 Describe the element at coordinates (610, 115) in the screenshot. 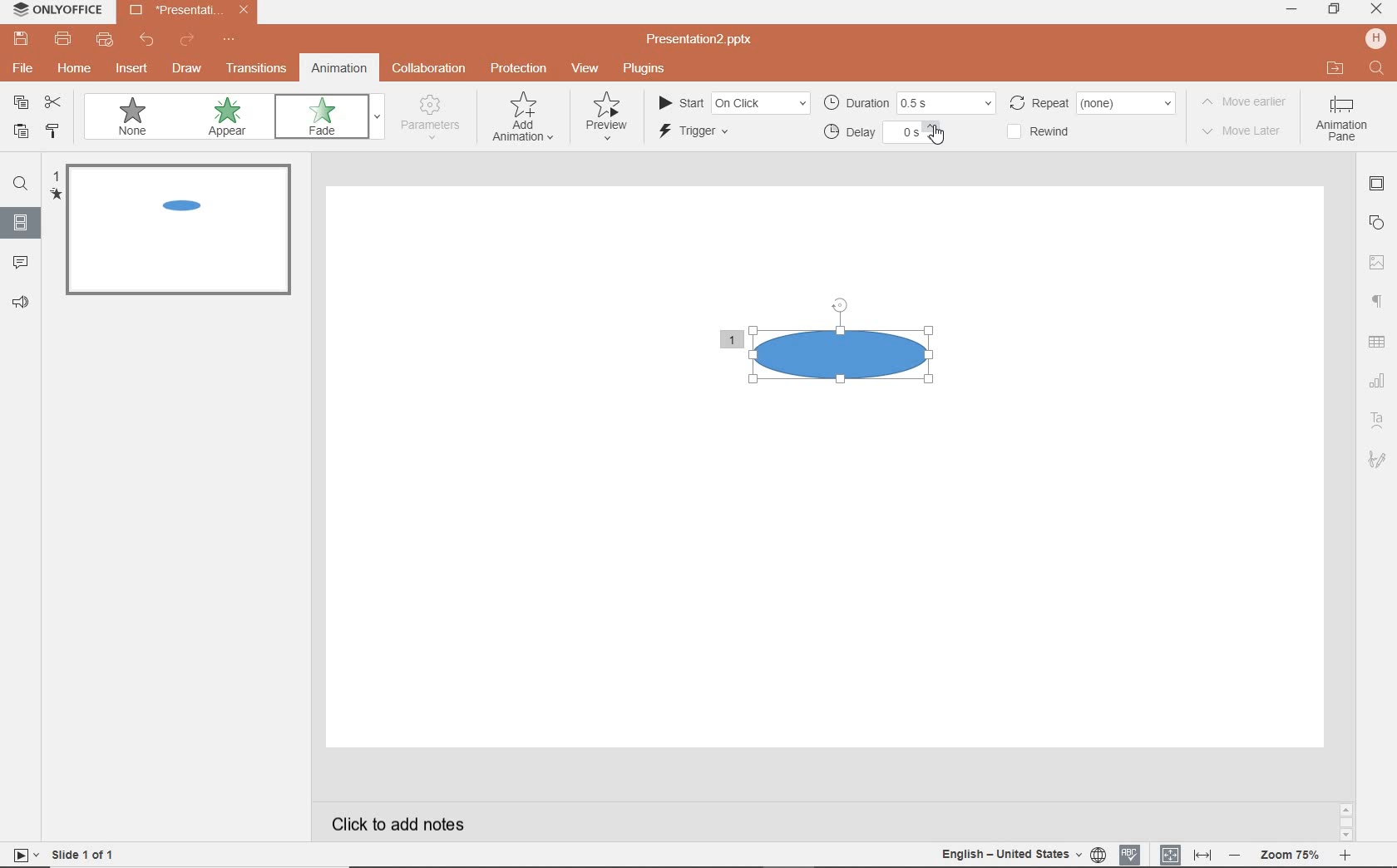

I see `preview` at that location.